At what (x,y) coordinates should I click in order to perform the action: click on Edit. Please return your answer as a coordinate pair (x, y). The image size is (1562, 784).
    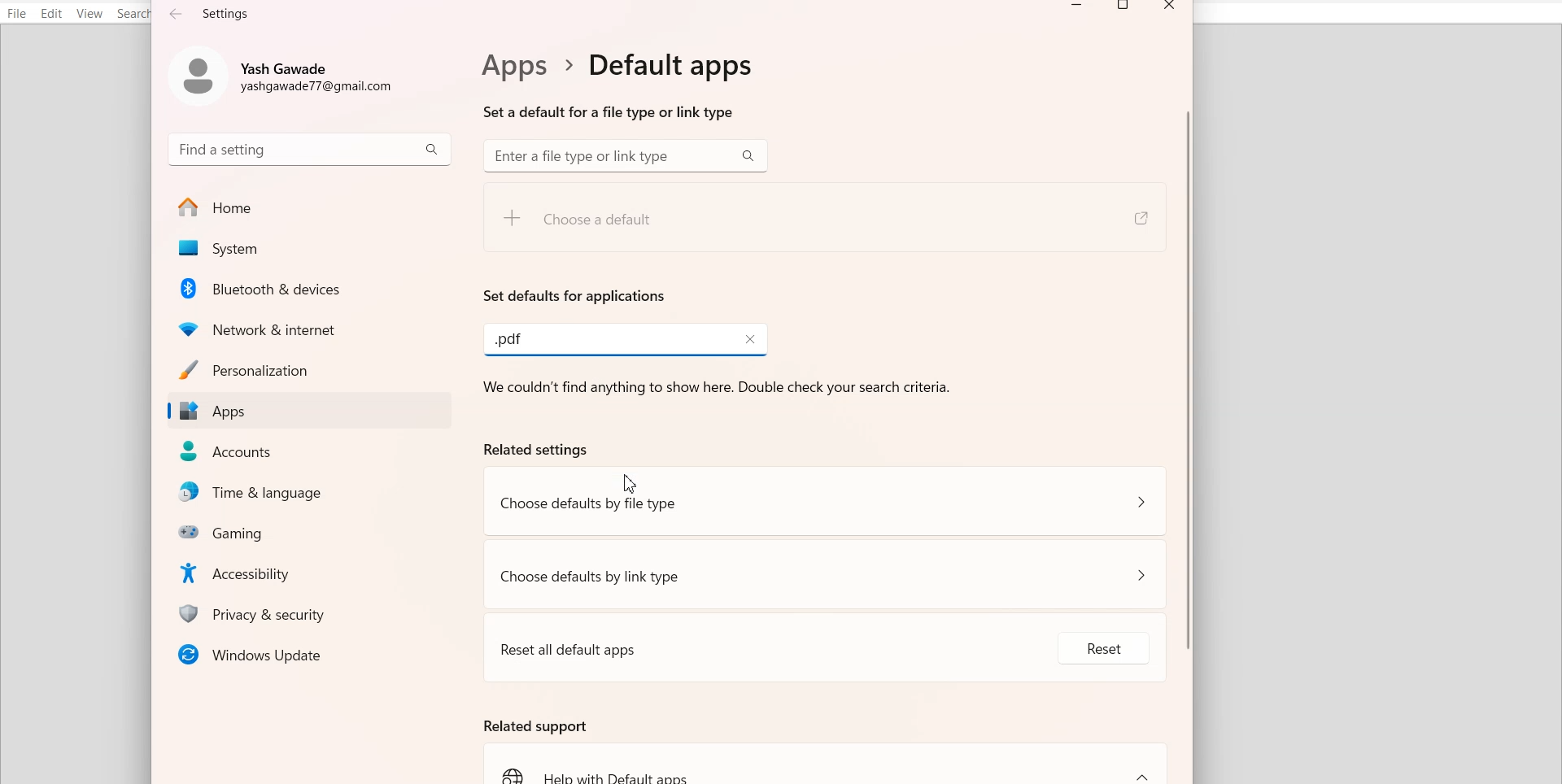
    Looking at the image, I should click on (52, 13).